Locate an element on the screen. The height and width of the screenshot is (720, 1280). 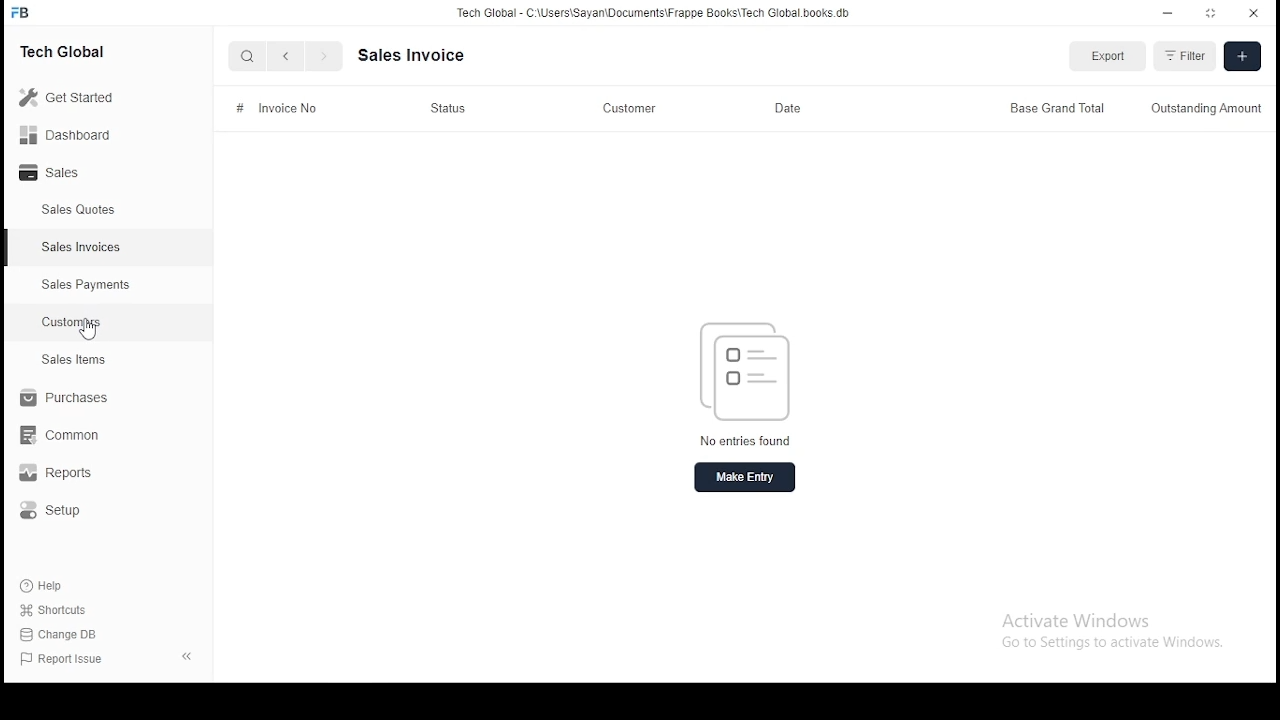
restore is located at coordinates (1211, 12).